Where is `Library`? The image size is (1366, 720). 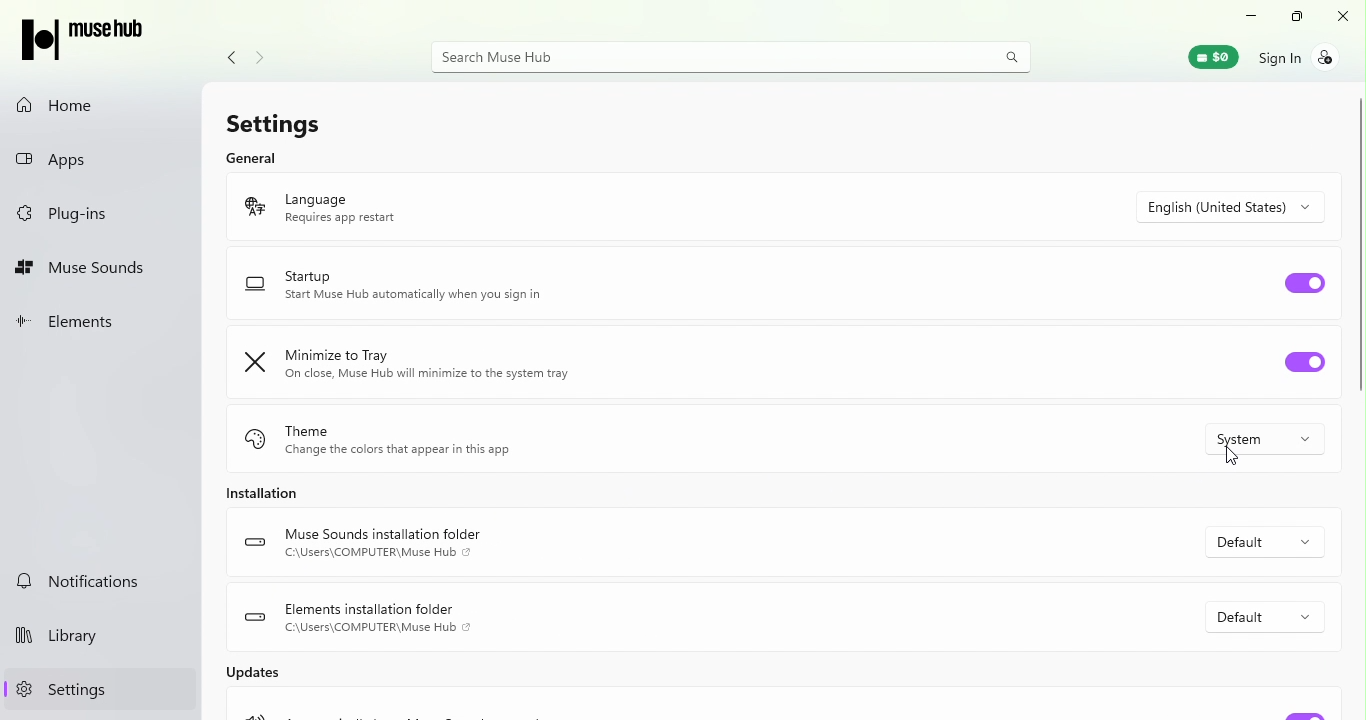
Library is located at coordinates (68, 639).